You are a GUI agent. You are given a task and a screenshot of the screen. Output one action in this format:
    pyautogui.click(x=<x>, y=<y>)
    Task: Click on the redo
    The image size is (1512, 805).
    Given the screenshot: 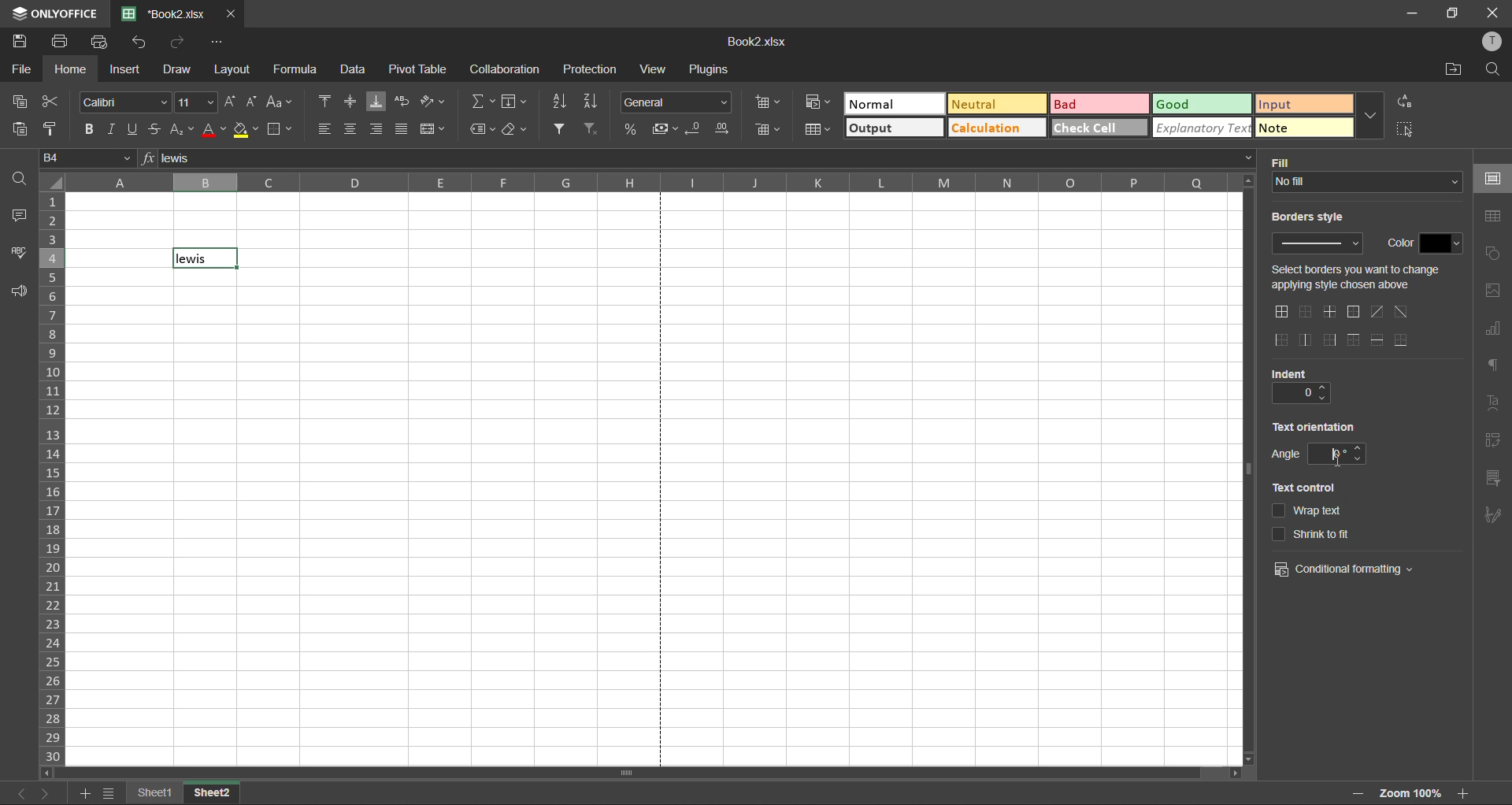 What is the action you would take?
    pyautogui.click(x=180, y=43)
    